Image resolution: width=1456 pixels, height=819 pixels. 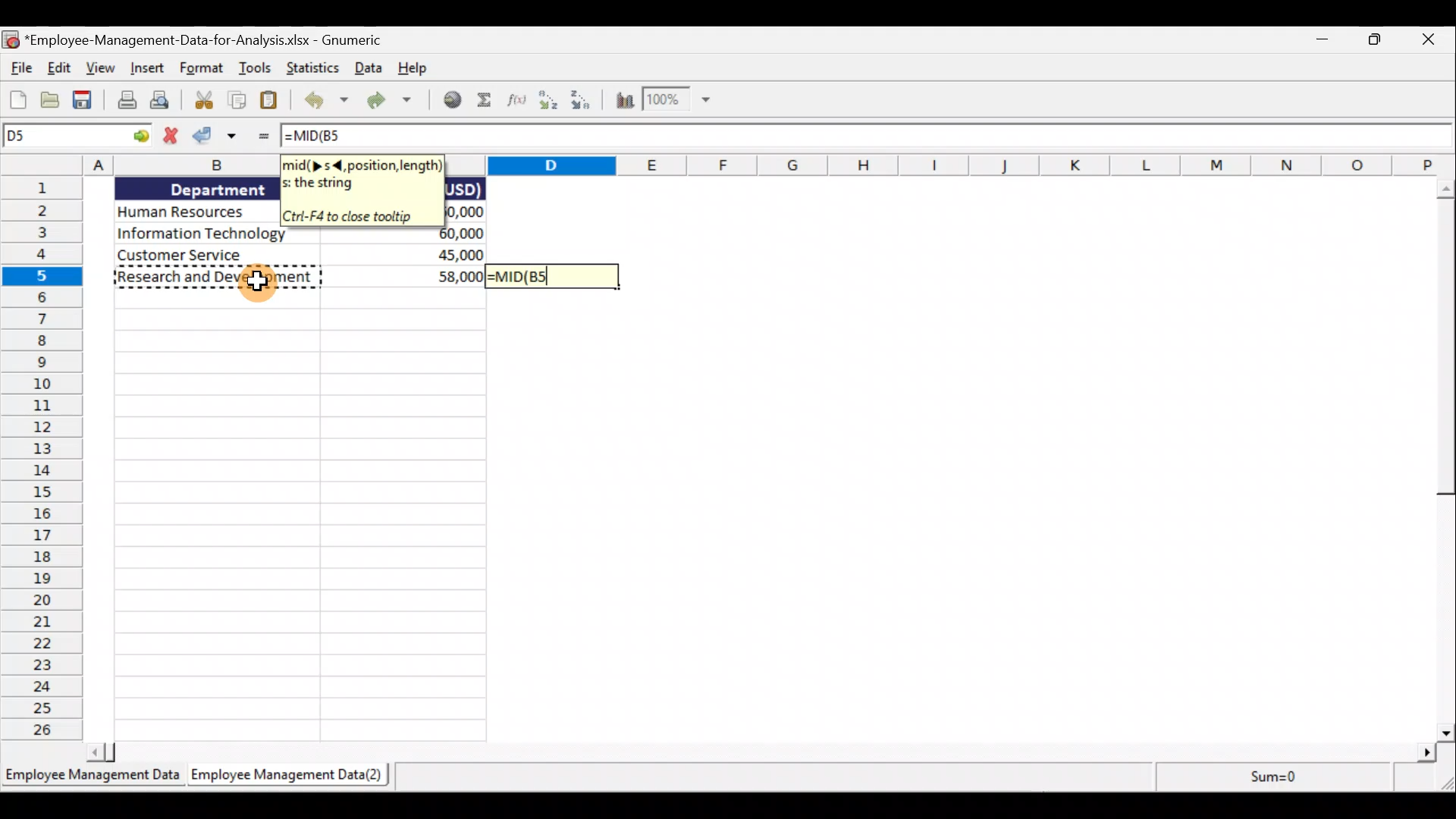 I want to click on Close, so click(x=1430, y=40).